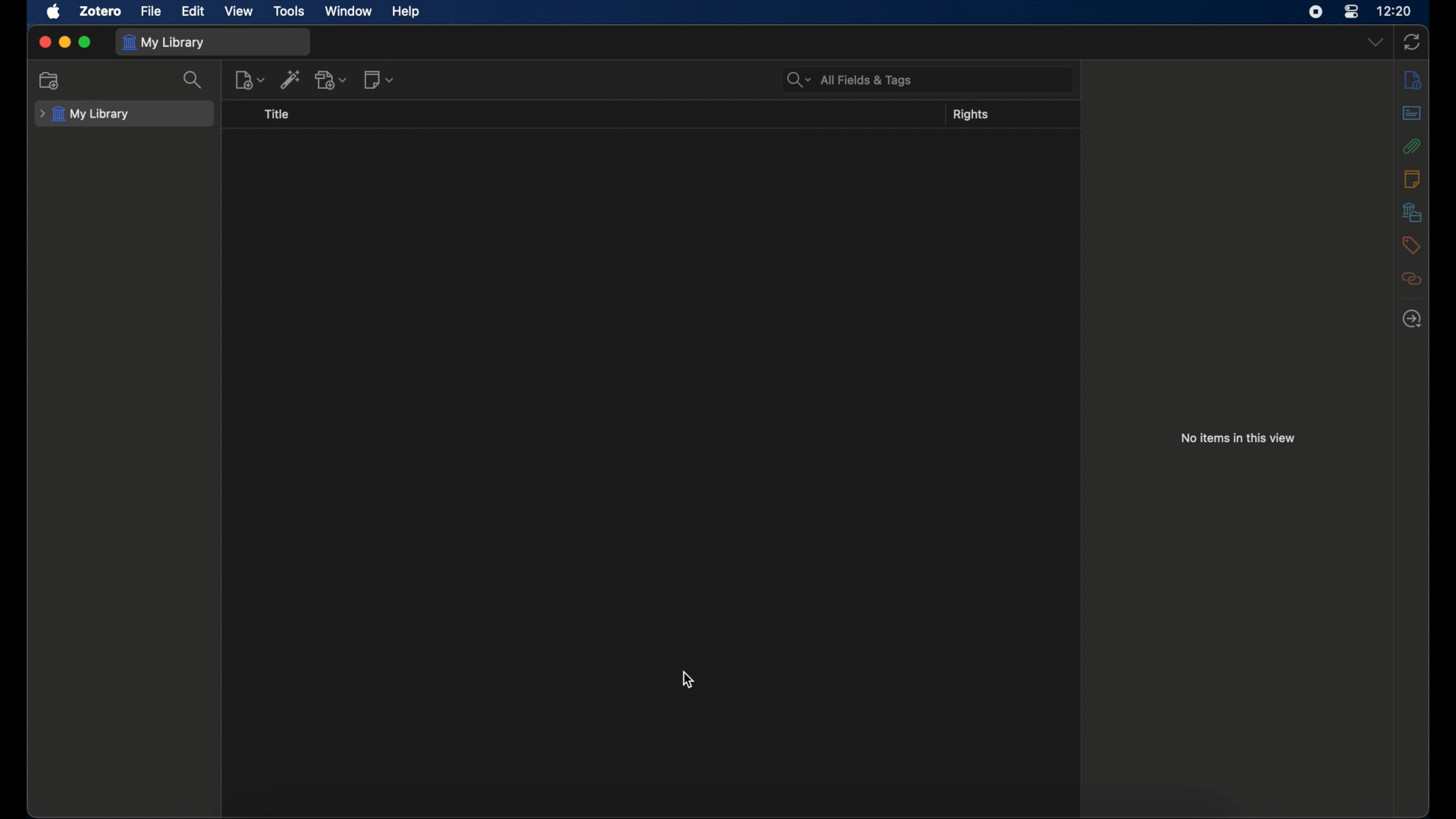 The width and height of the screenshot is (1456, 819). I want to click on apple, so click(54, 12).